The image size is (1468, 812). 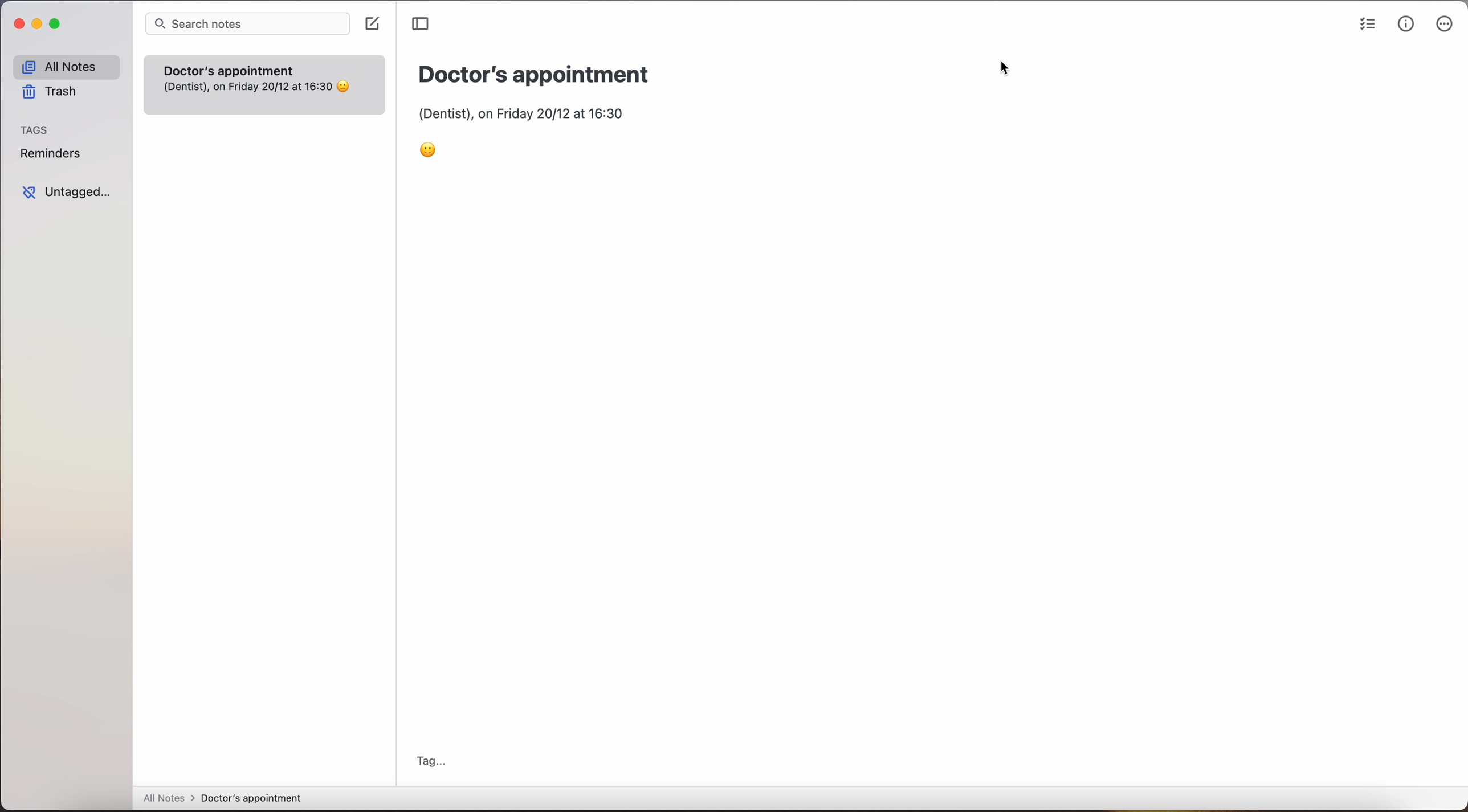 What do you see at coordinates (222, 799) in the screenshot?
I see `all notes > doctor's appointment` at bounding box center [222, 799].